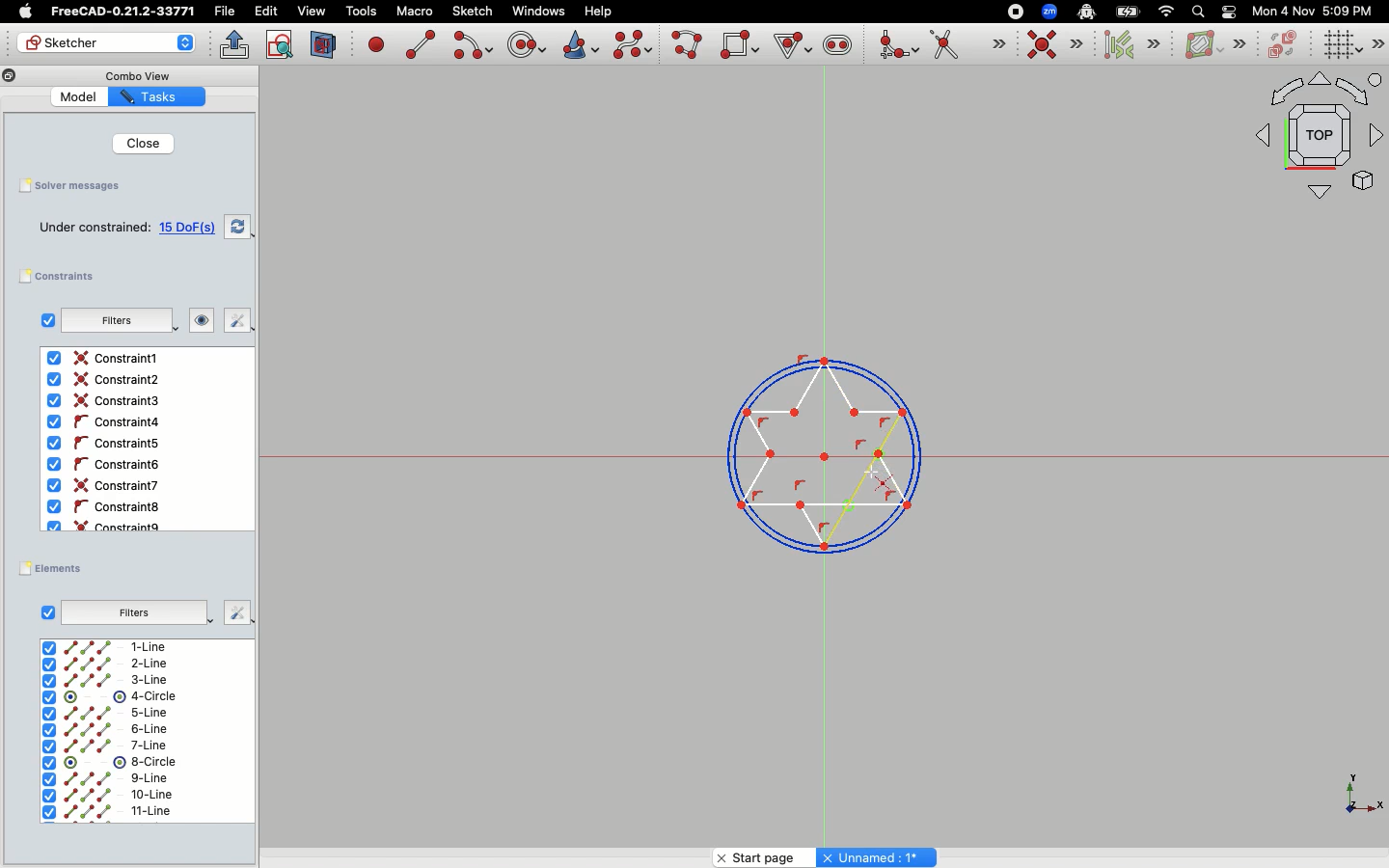  What do you see at coordinates (1376, 43) in the screenshot?
I see `Sketch editor tools` at bounding box center [1376, 43].